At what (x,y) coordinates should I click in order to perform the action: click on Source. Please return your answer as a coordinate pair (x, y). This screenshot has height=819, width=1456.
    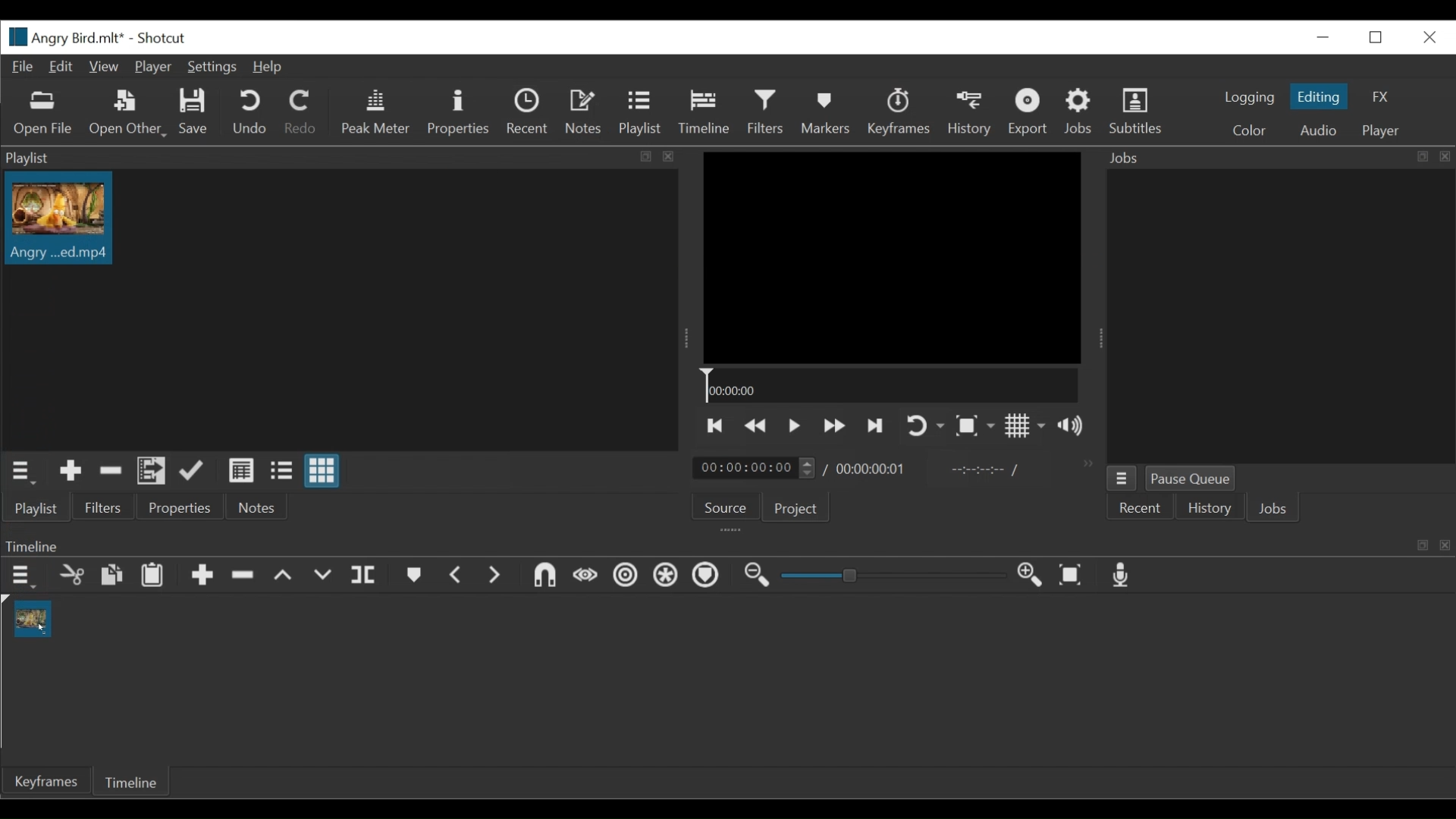
    Looking at the image, I should click on (726, 507).